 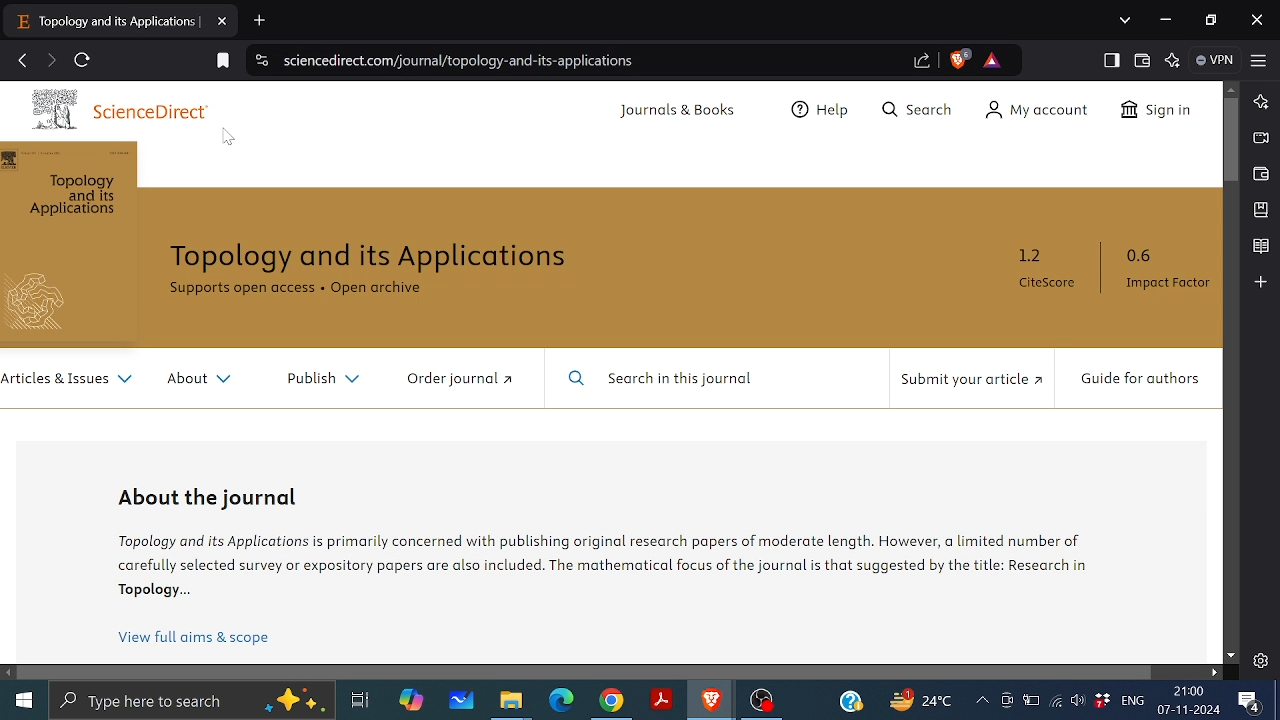 I want to click on Task view, so click(x=359, y=701).